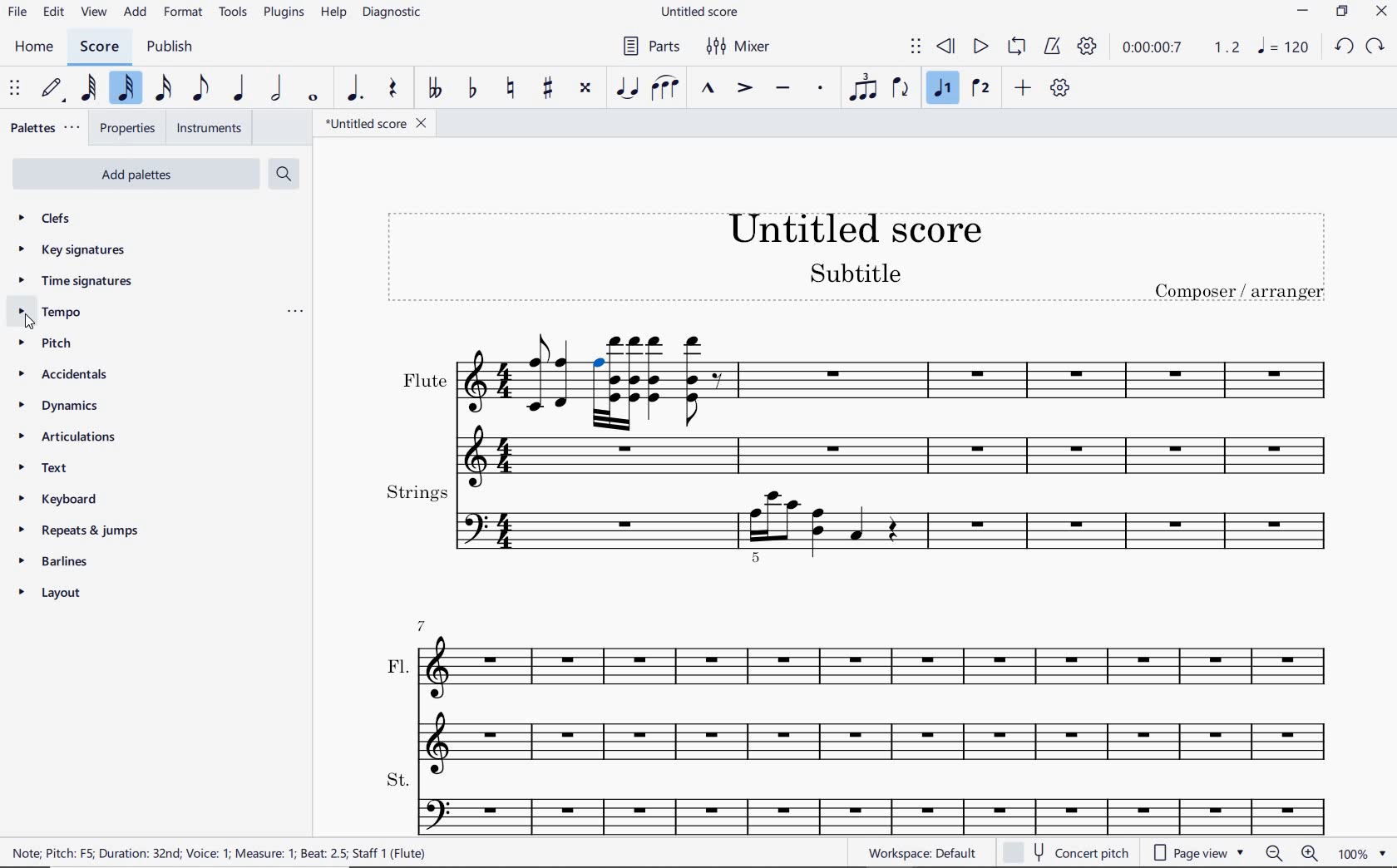  I want to click on ADD, so click(1024, 89).